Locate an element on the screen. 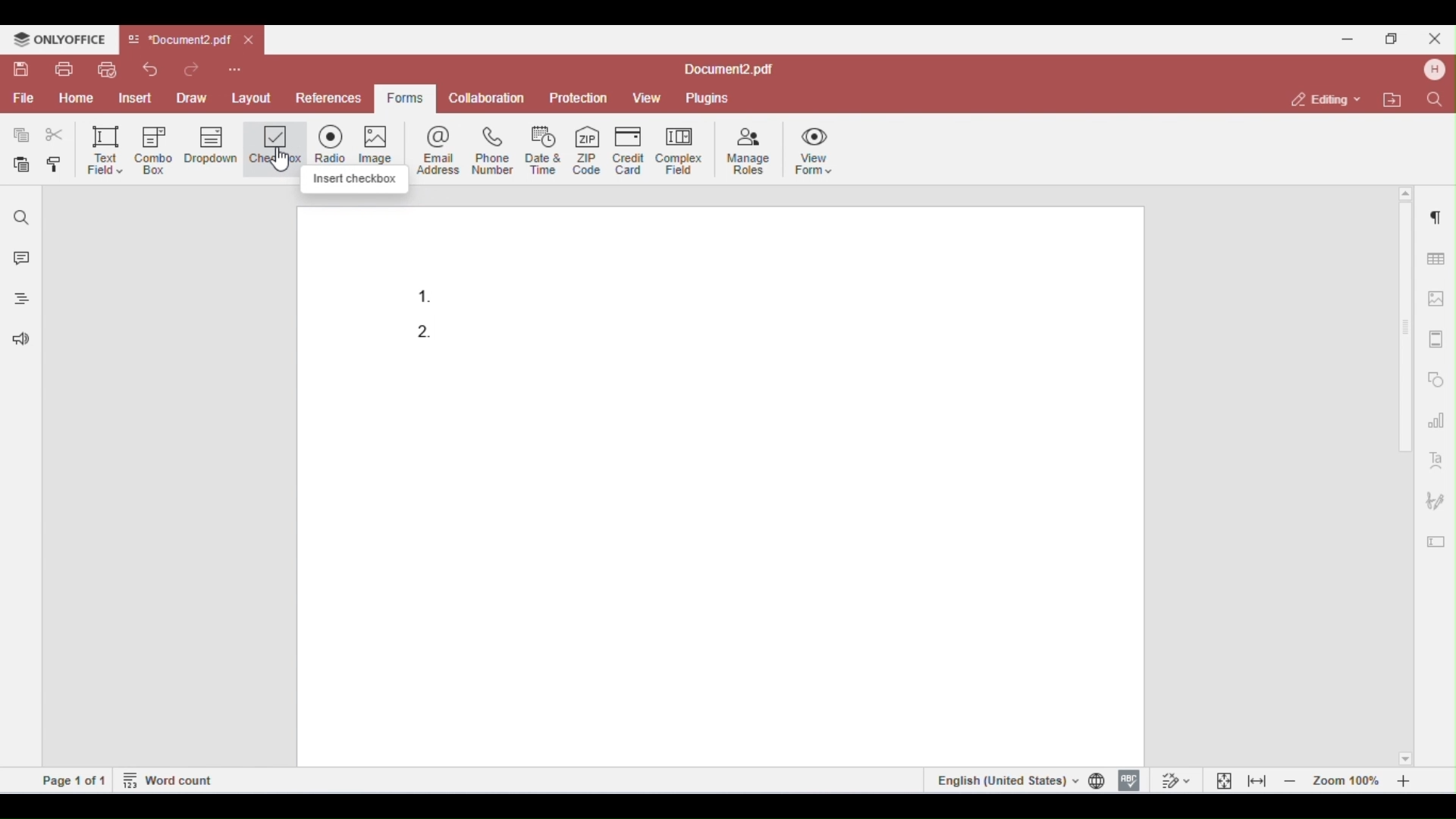 The width and height of the screenshot is (1456, 819). manage roles is located at coordinates (749, 152).